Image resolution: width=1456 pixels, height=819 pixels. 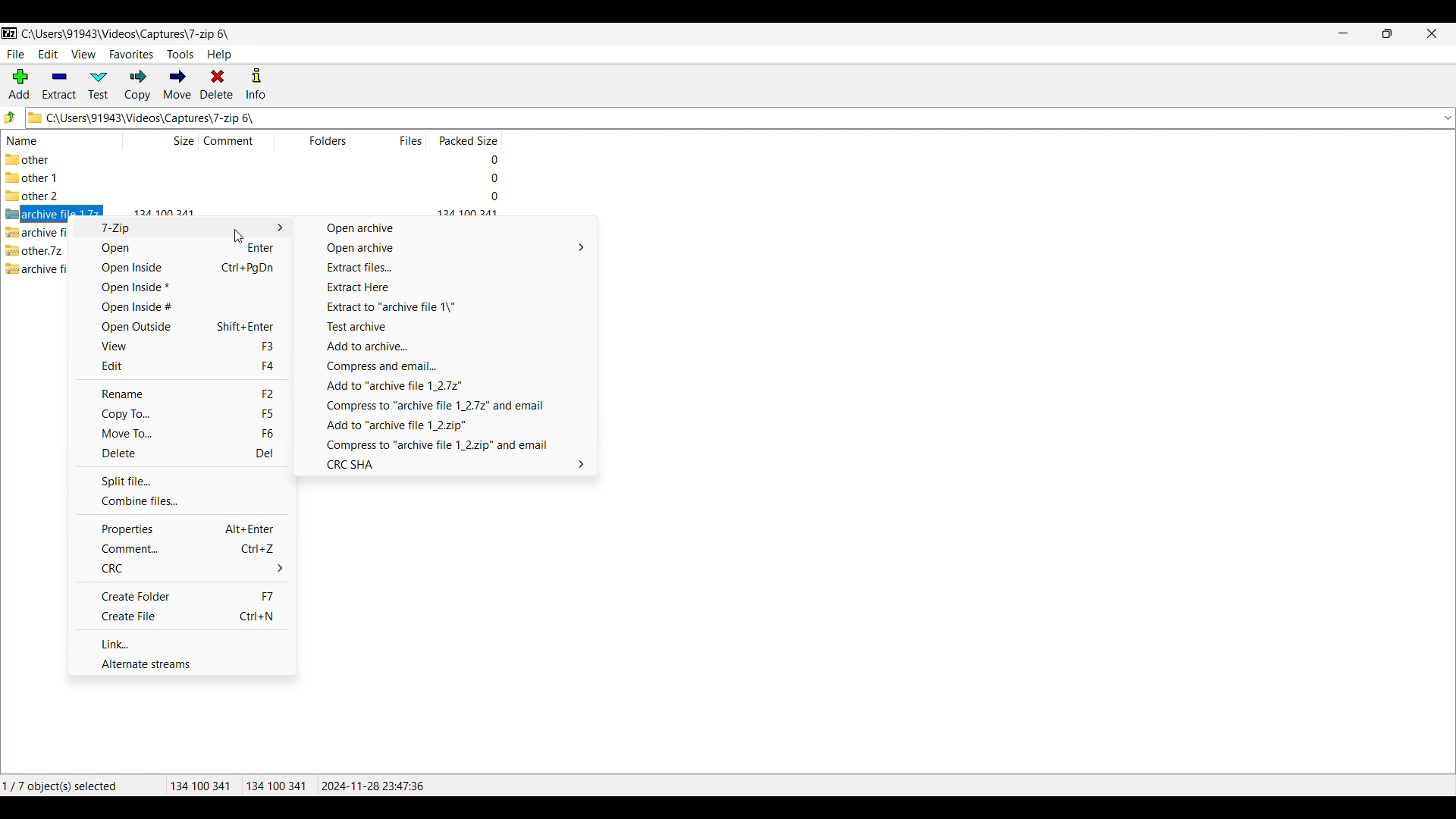 I want to click on Name , so click(x=27, y=141).